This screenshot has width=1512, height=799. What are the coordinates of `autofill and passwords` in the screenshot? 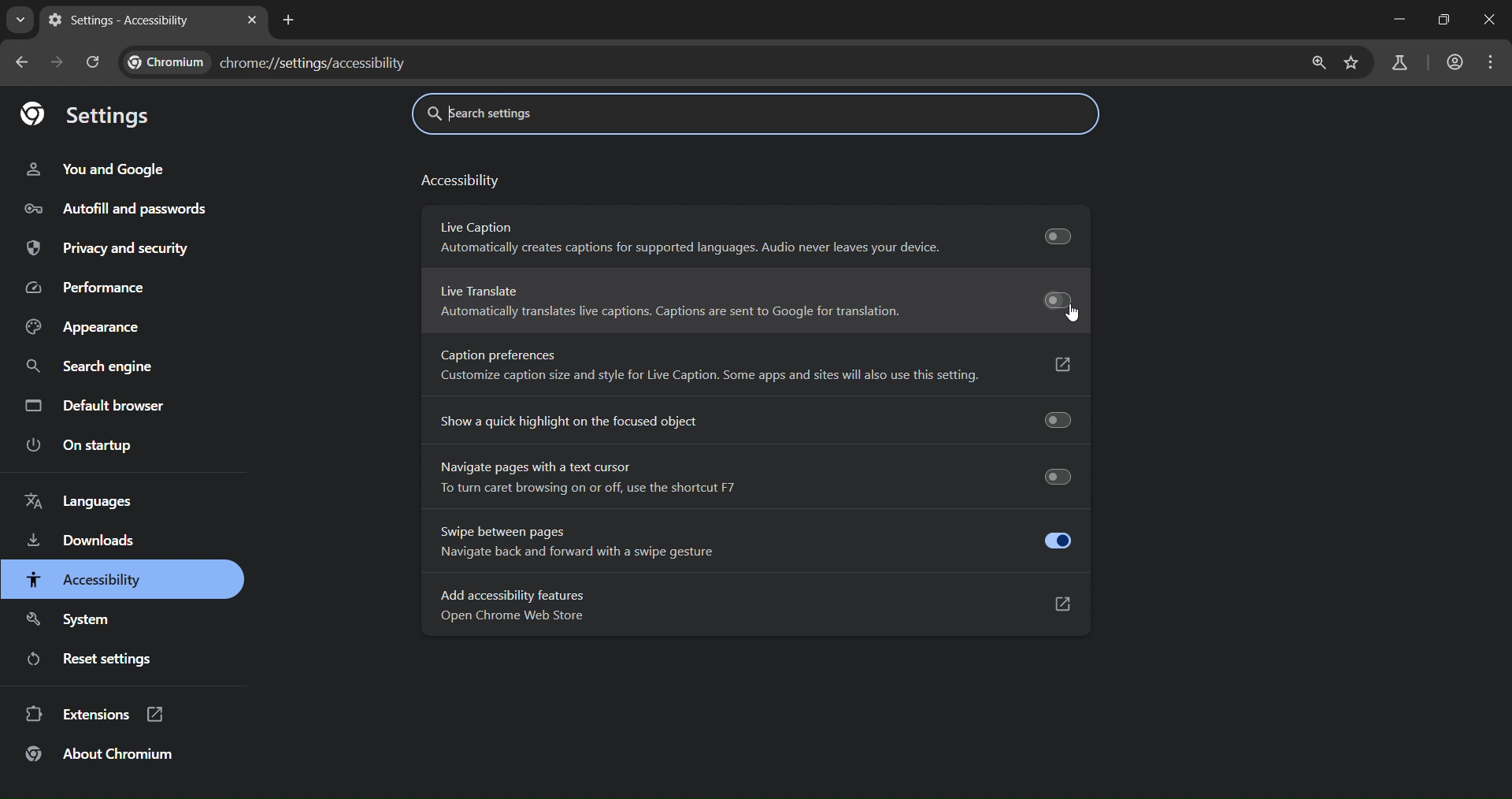 It's located at (123, 208).